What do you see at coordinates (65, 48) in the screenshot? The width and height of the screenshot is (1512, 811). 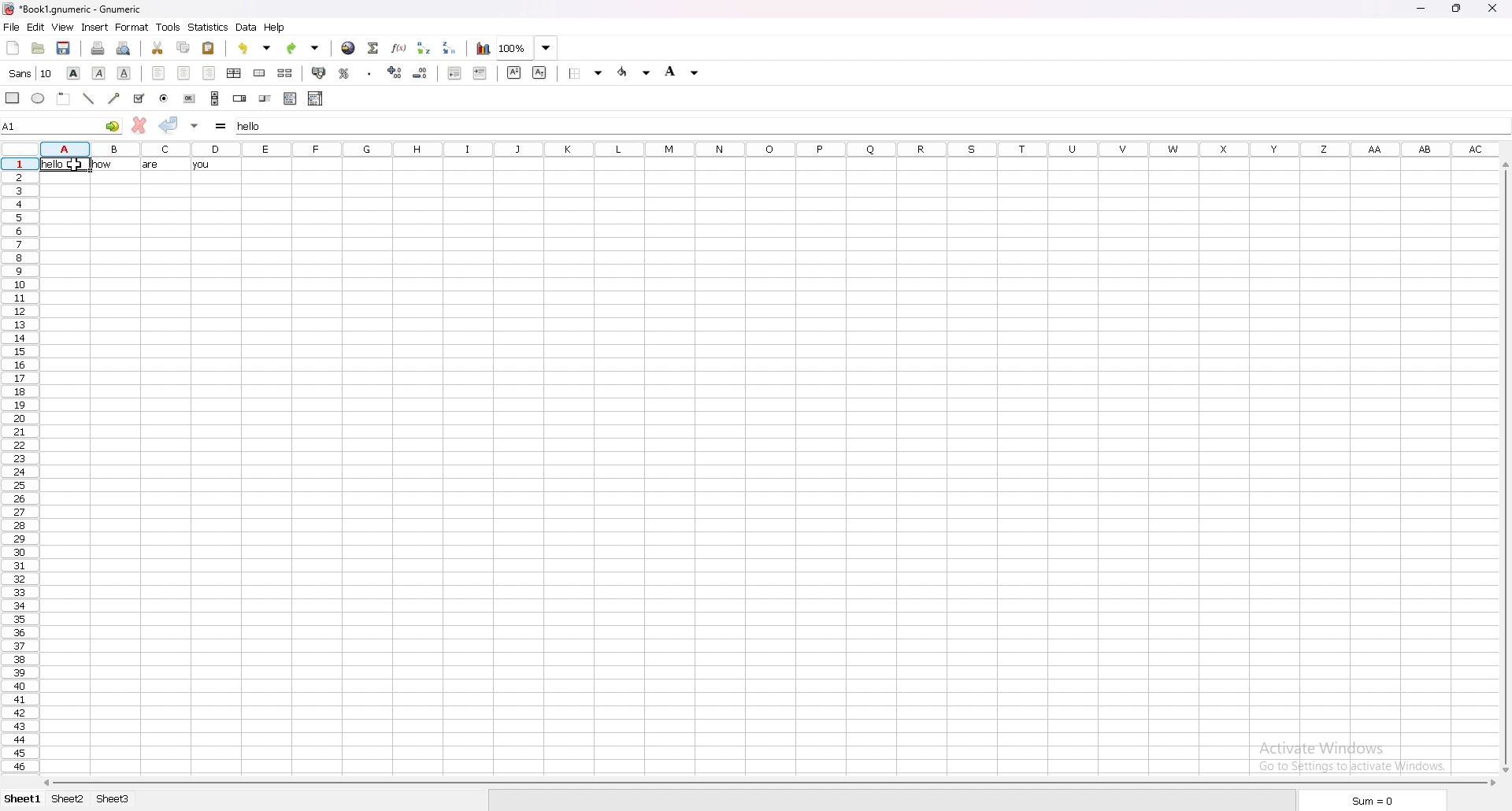 I see `save` at bounding box center [65, 48].